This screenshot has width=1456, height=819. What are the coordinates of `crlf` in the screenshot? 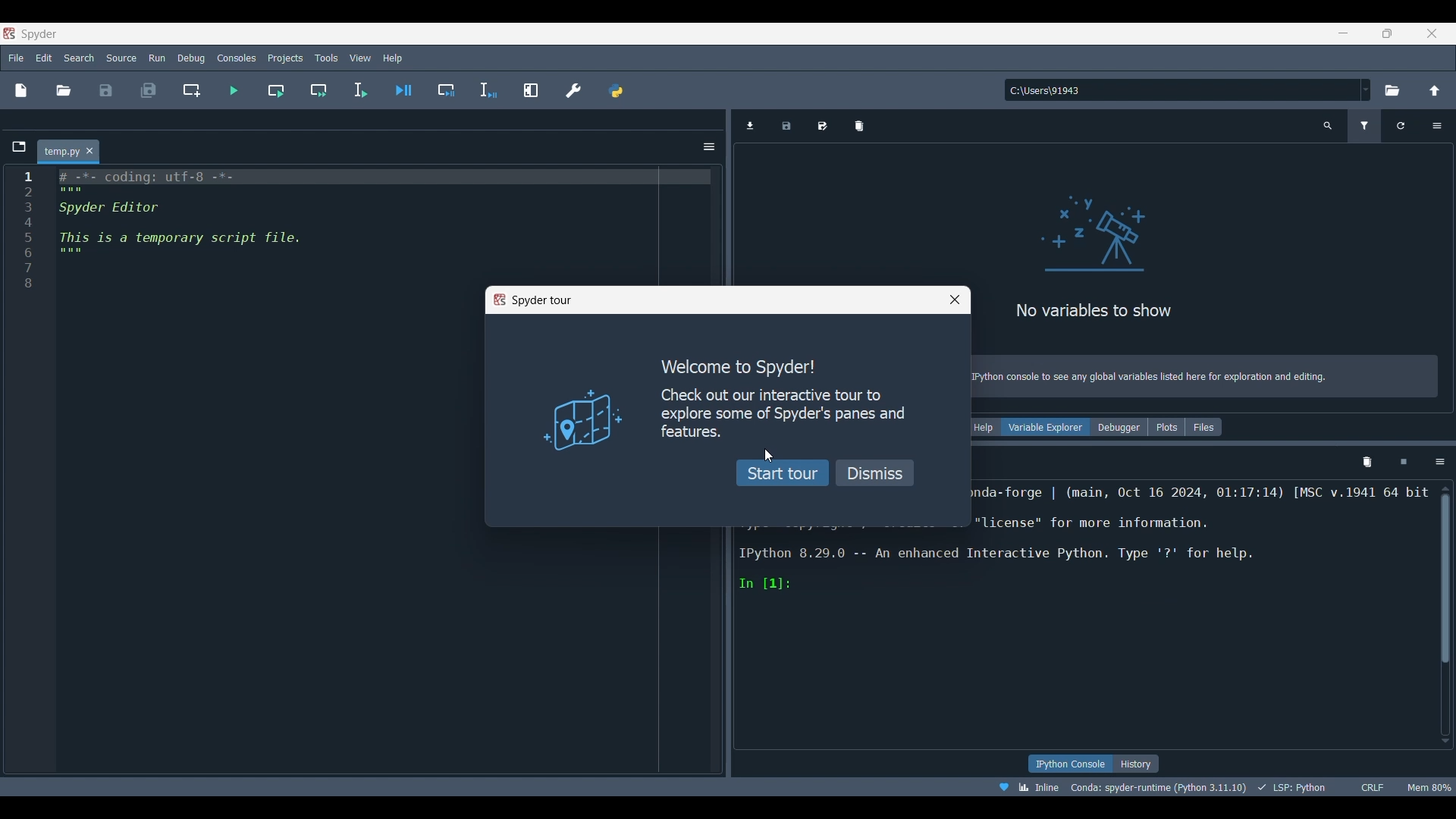 It's located at (1353, 787).